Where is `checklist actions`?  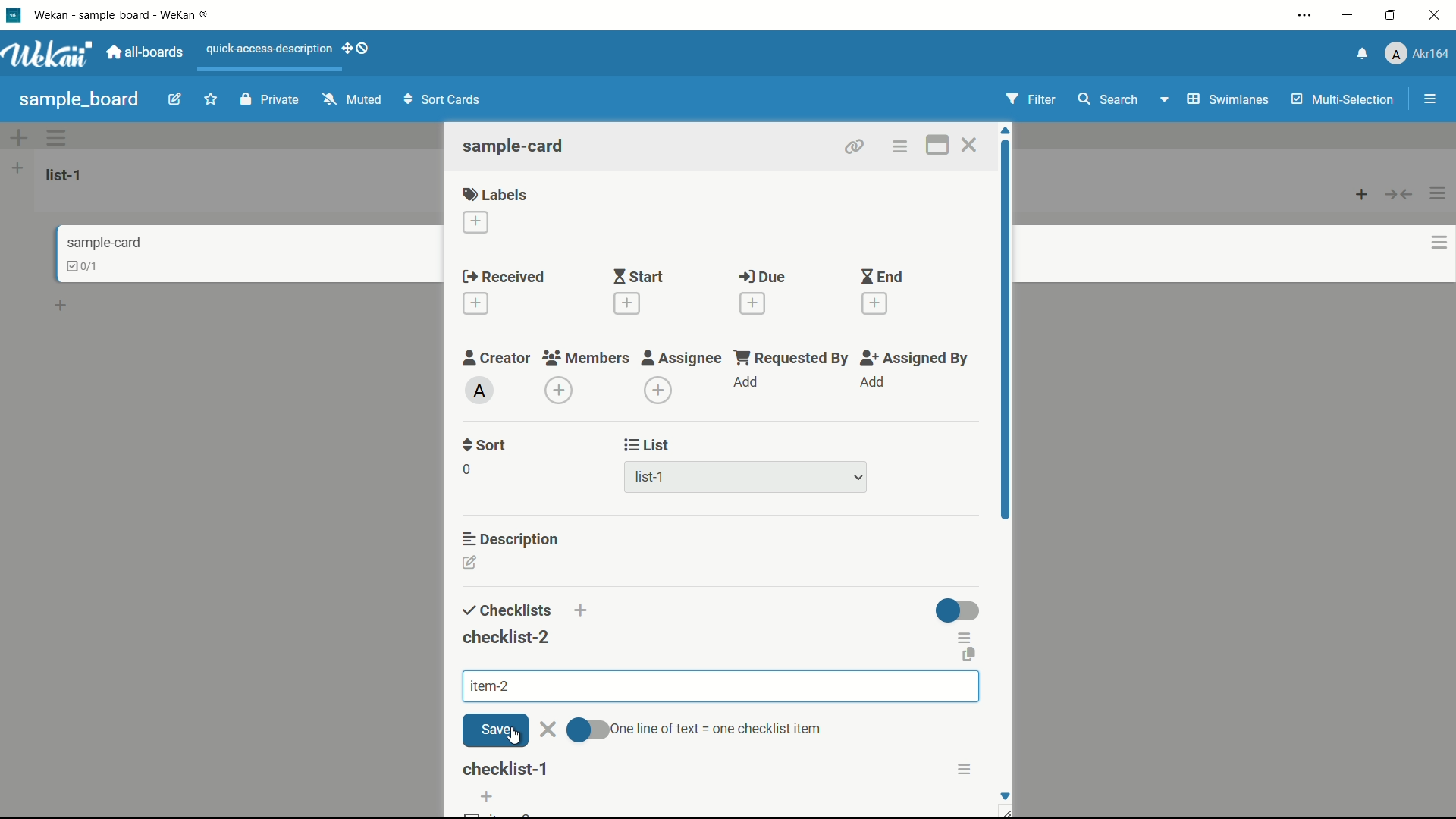
checklist actions is located at coordinates (966, 635).